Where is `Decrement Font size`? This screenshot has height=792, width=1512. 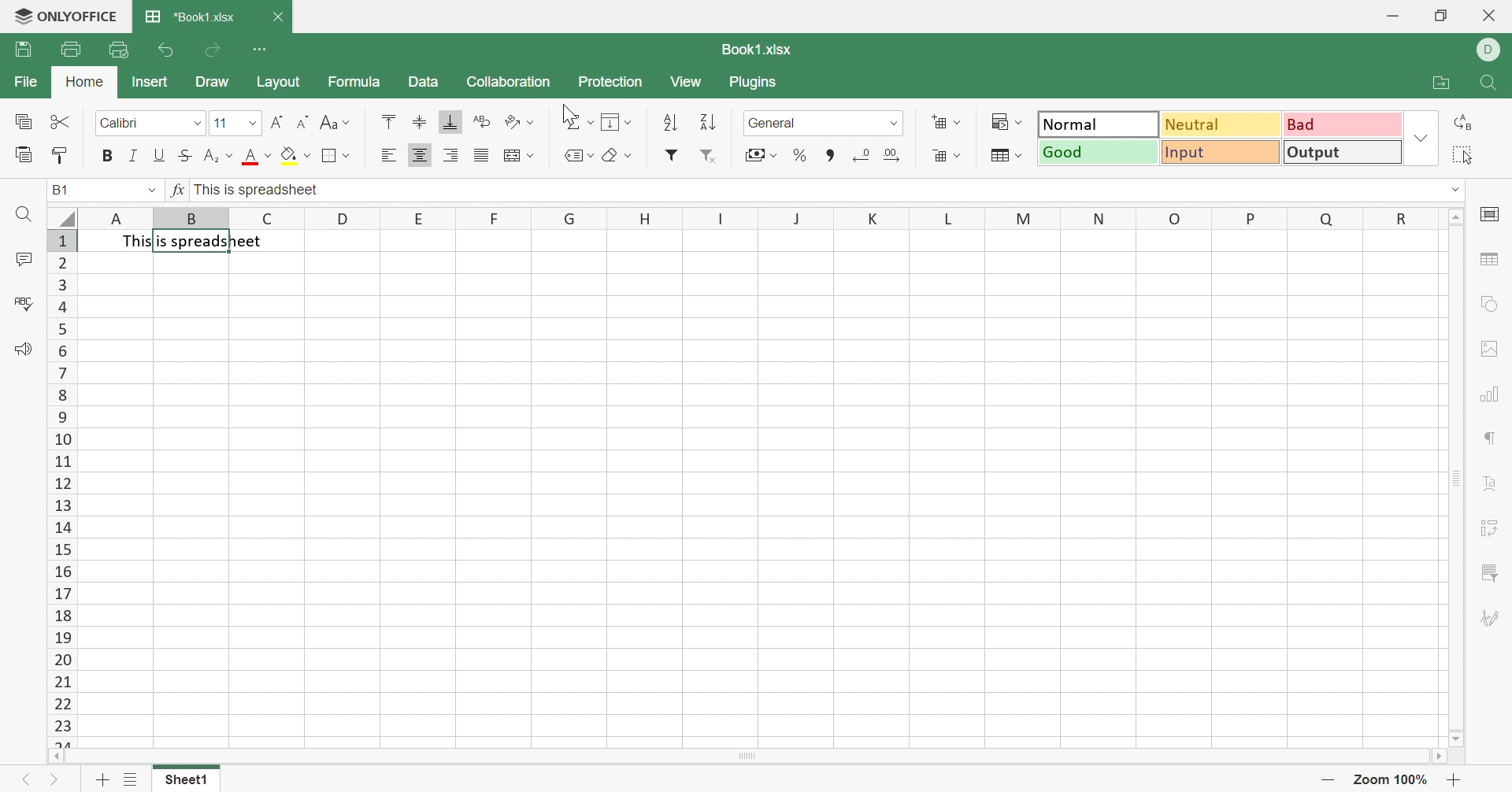 Decrement Font size is located at coordinates (302, 121).